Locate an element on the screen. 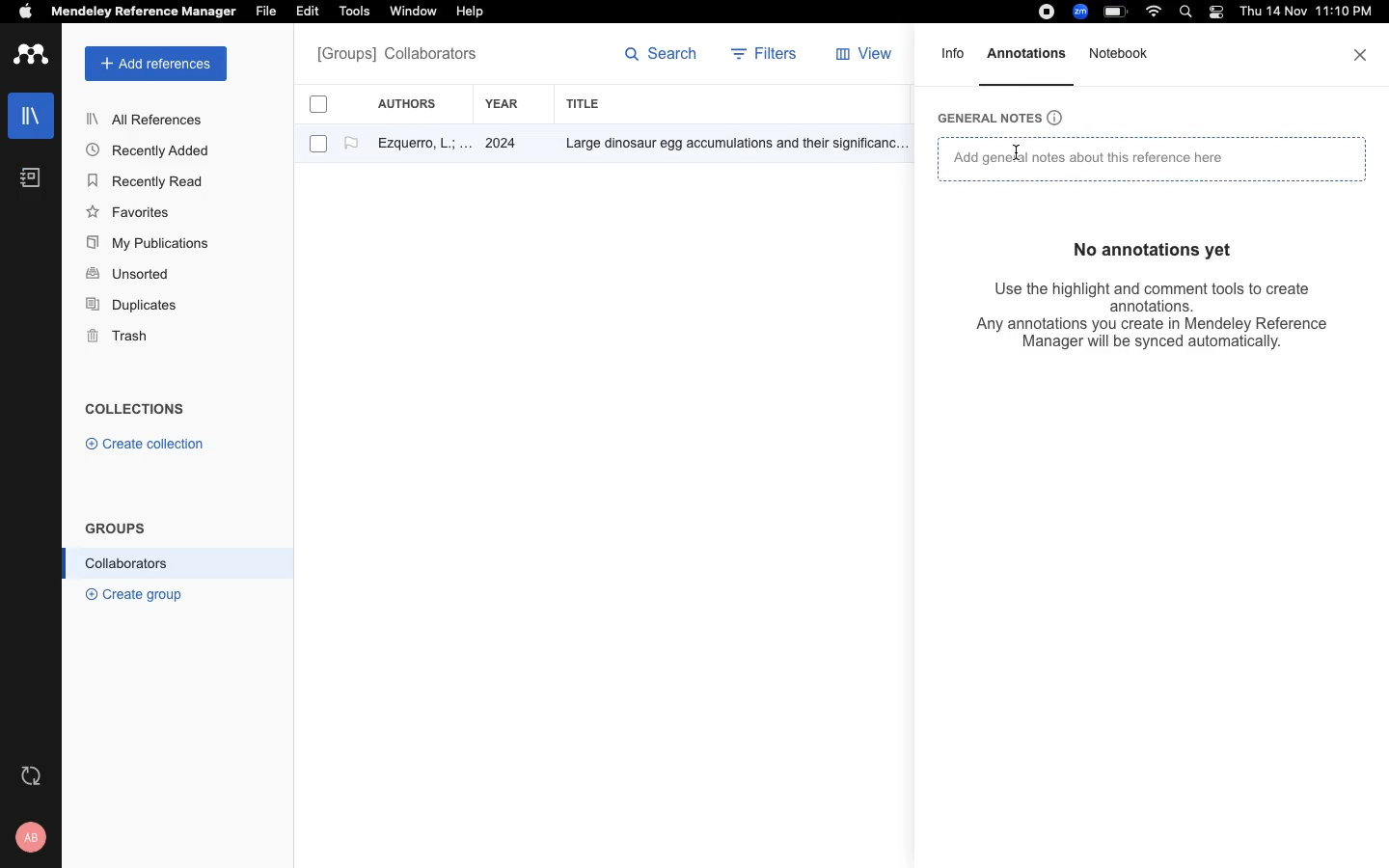 This screenshot has height=868, width=1389. view is located at coordinates (868, 58).